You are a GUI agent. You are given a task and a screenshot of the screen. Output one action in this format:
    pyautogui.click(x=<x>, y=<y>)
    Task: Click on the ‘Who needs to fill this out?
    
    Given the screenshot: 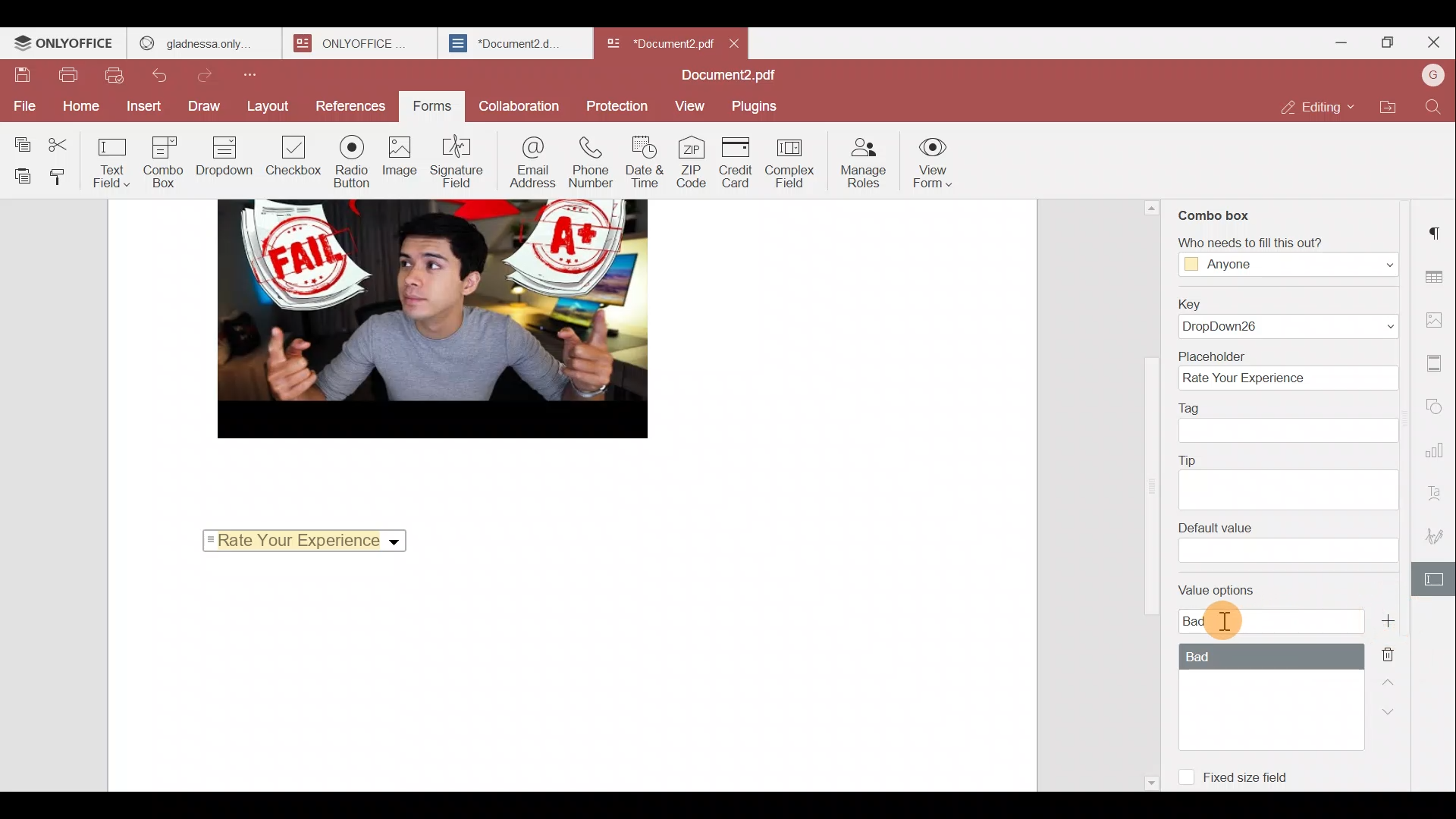 What is the action you would take?
    pyautogui.click(x=1280, y=256)
    